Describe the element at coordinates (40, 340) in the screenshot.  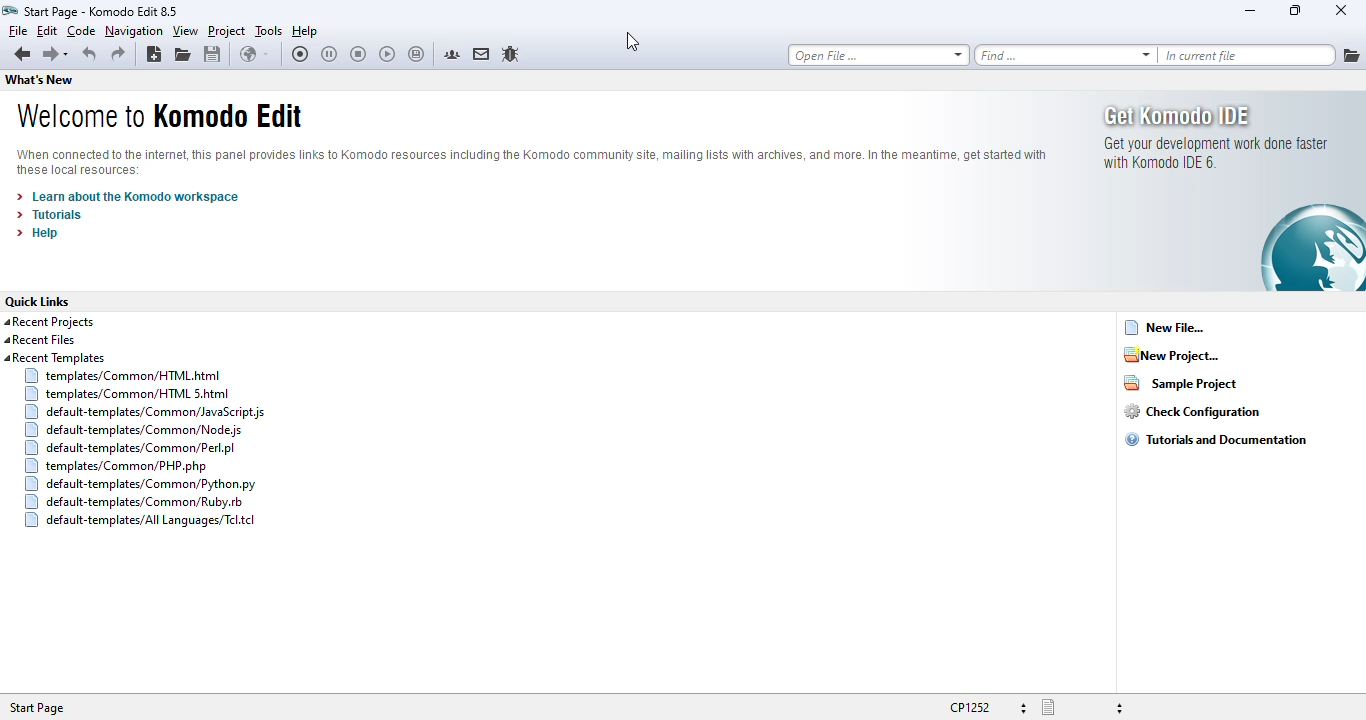
I see `recent files` at that location.